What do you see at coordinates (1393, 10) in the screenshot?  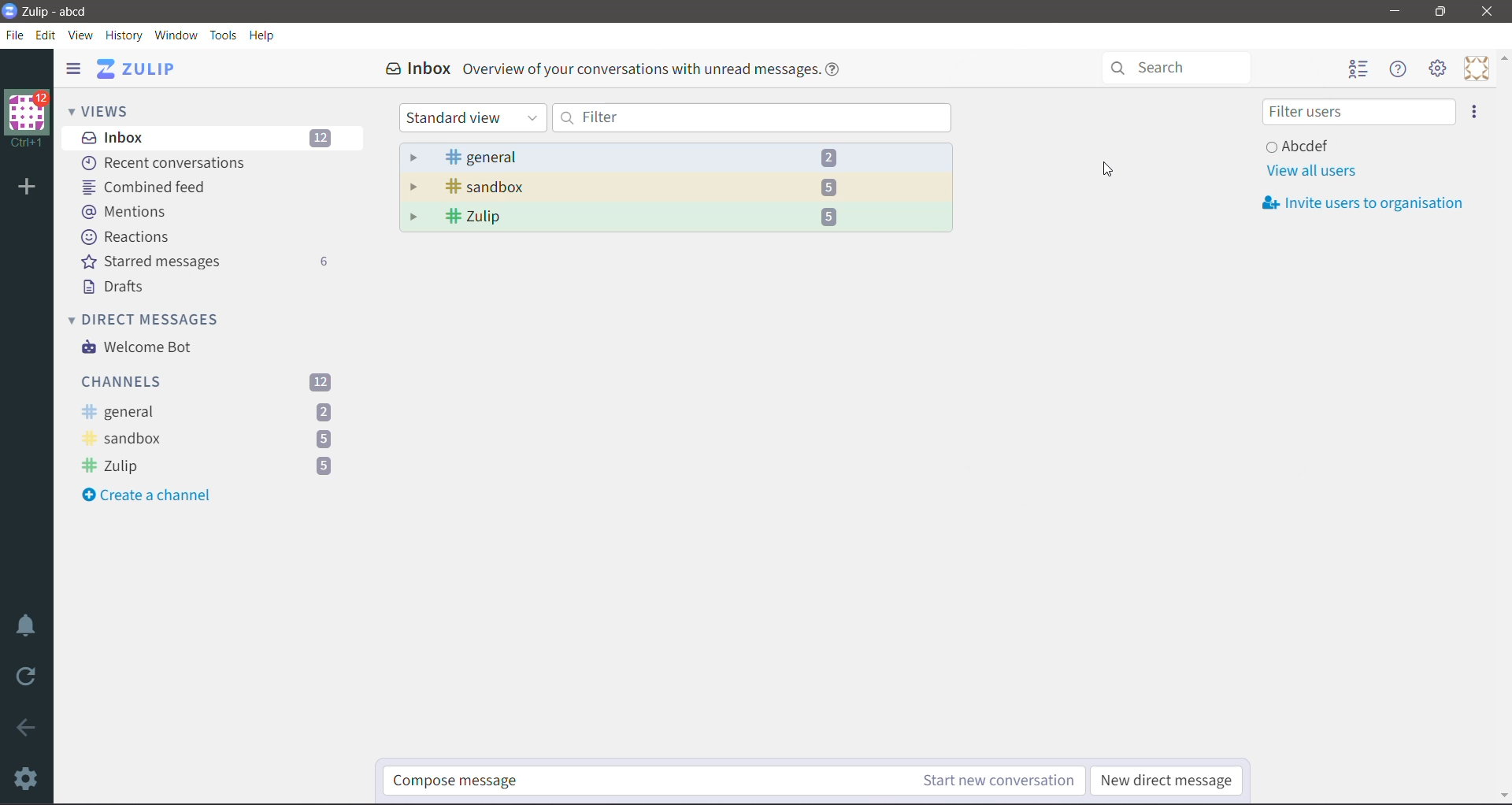 I see `Minimize` at bounding box center [1393, 10].